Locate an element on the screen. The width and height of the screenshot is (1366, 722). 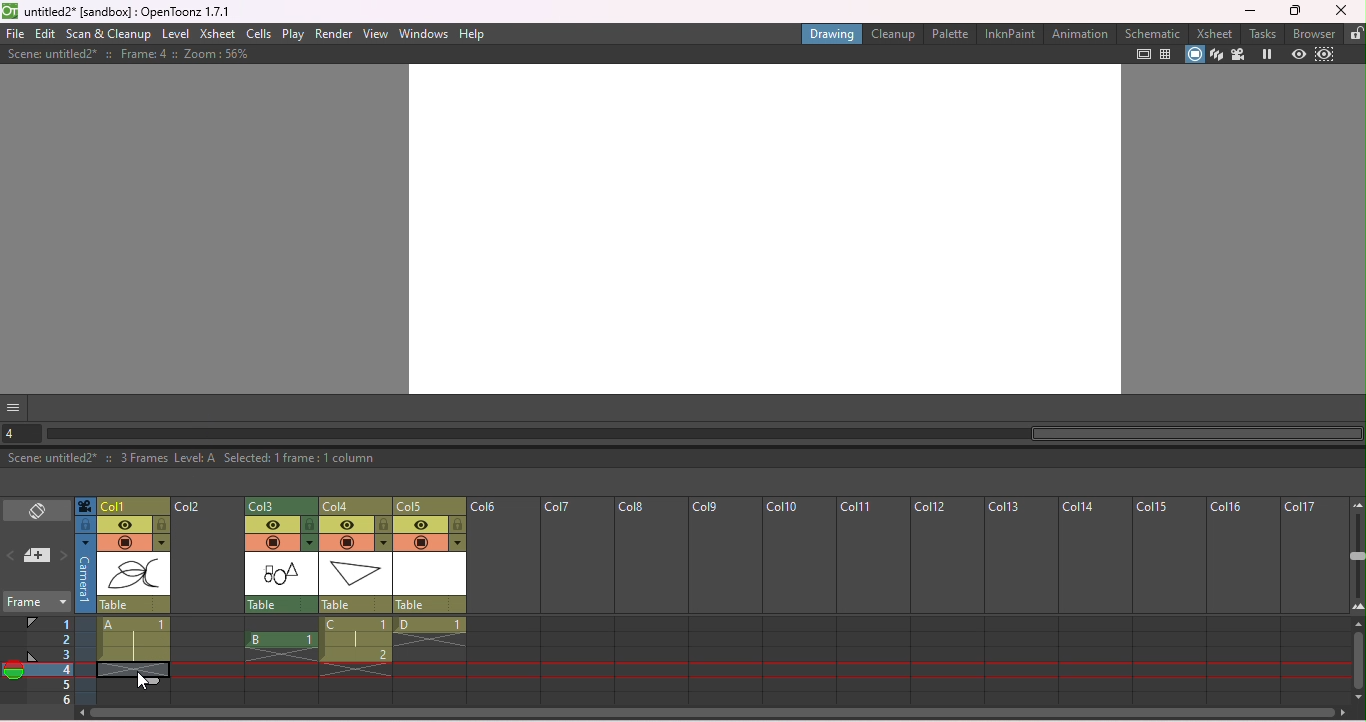
New memo is located at coordinates (38, 557).